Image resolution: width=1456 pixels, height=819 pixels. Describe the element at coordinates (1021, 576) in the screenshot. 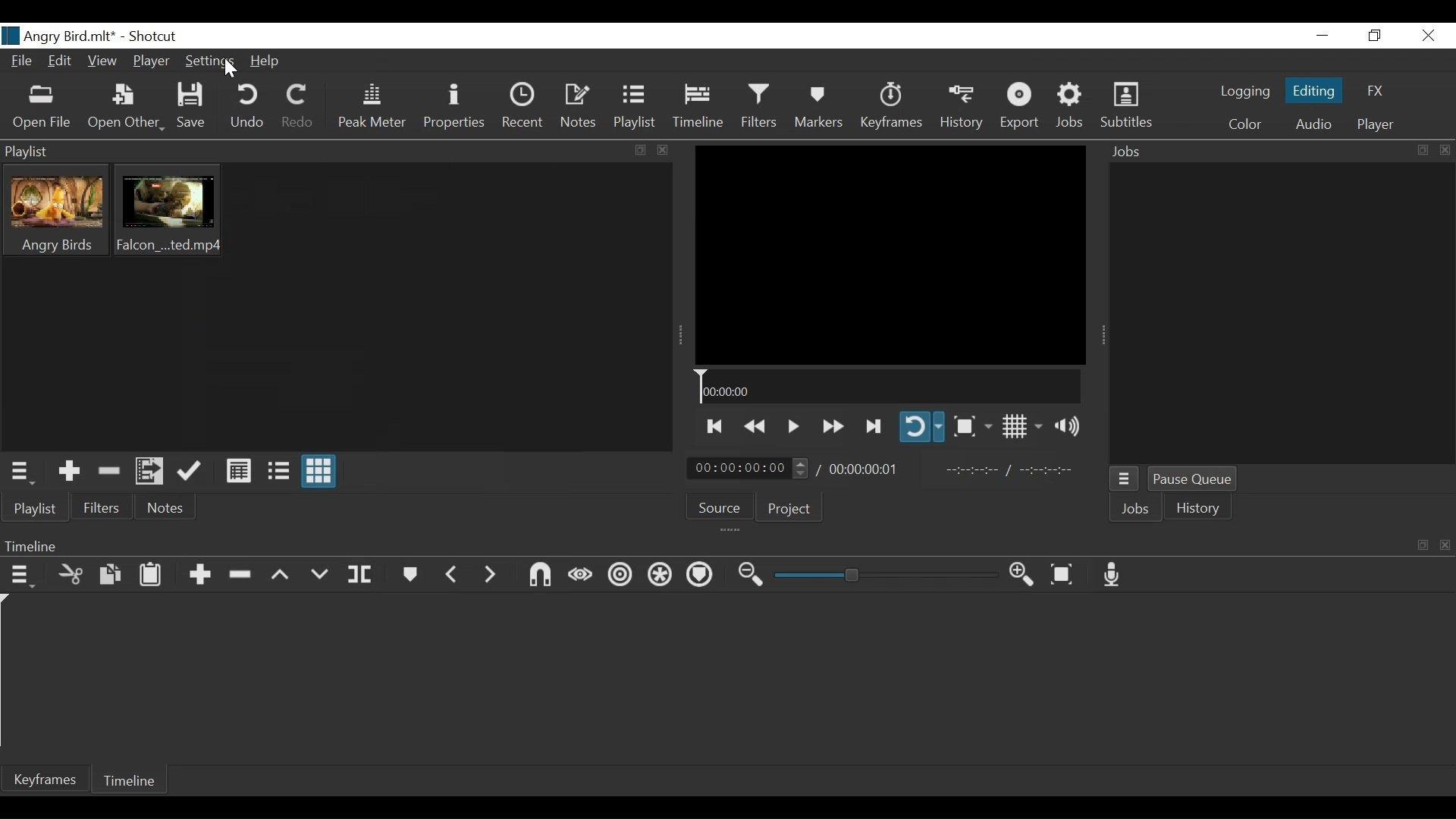

I see `Zoom timeline in` at that location.